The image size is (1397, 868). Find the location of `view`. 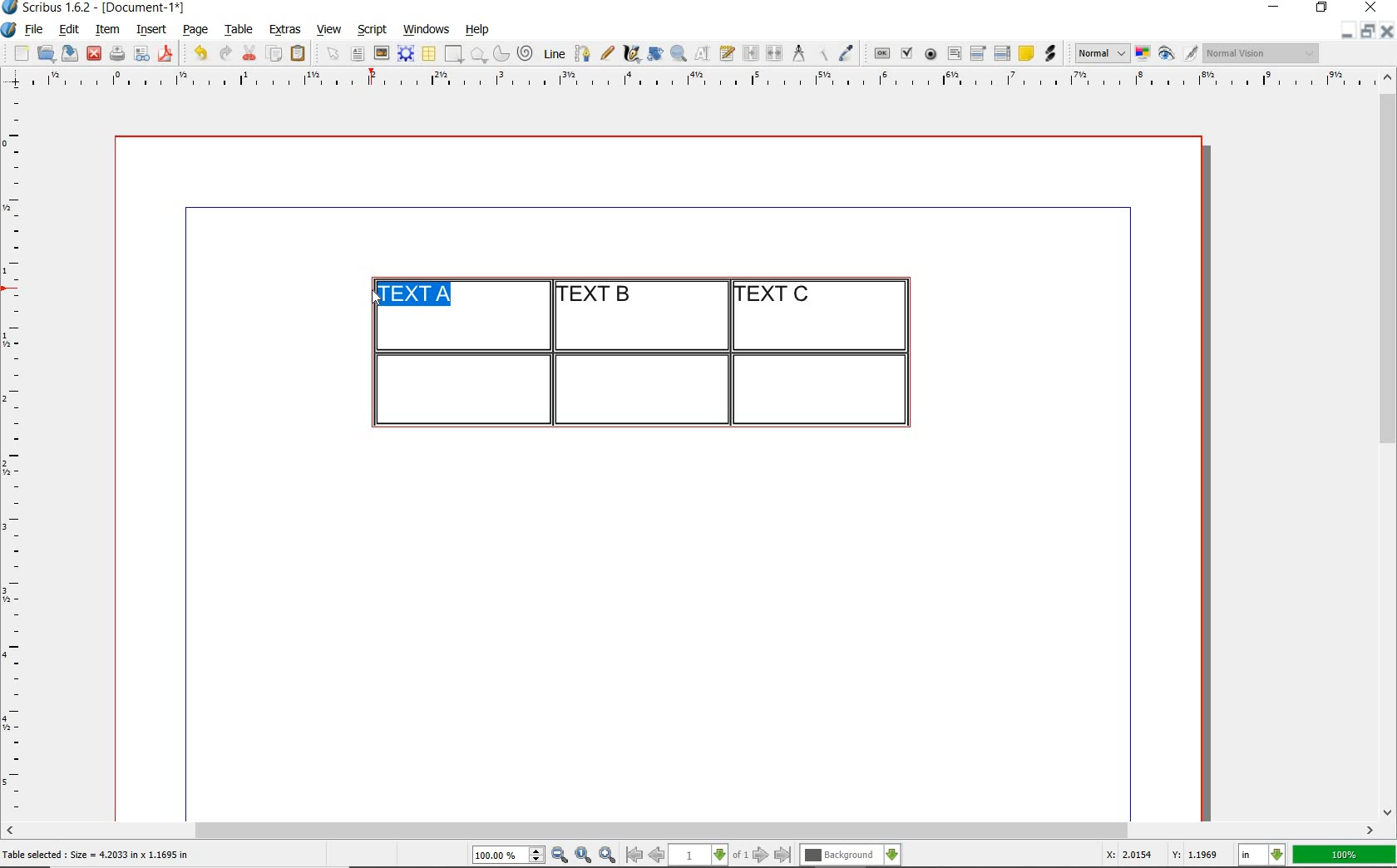

view is located at coordinates (329, 29).